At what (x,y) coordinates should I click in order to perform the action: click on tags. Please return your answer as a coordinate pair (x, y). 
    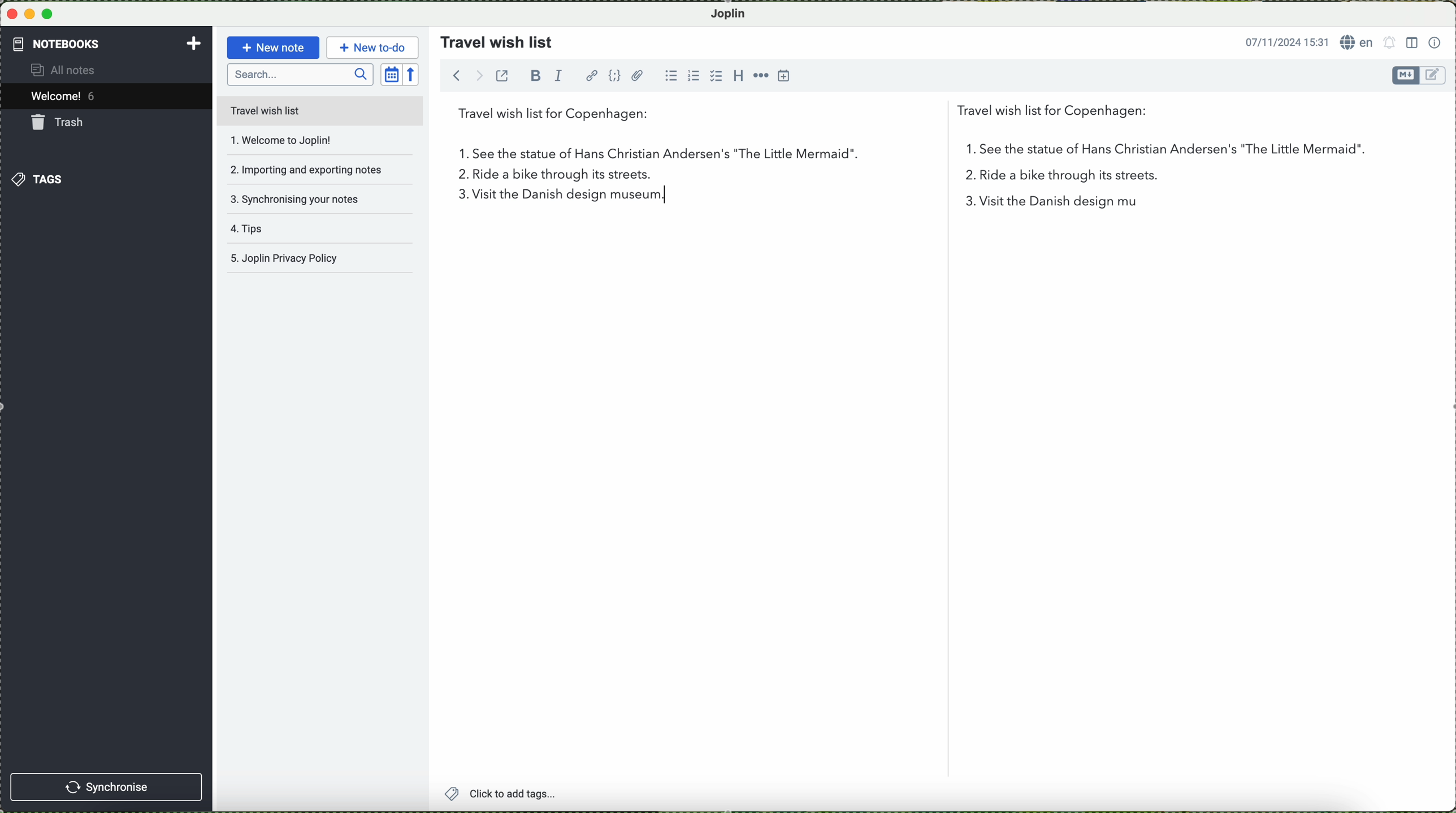
    Looking at the image, I should click on (39, 179).